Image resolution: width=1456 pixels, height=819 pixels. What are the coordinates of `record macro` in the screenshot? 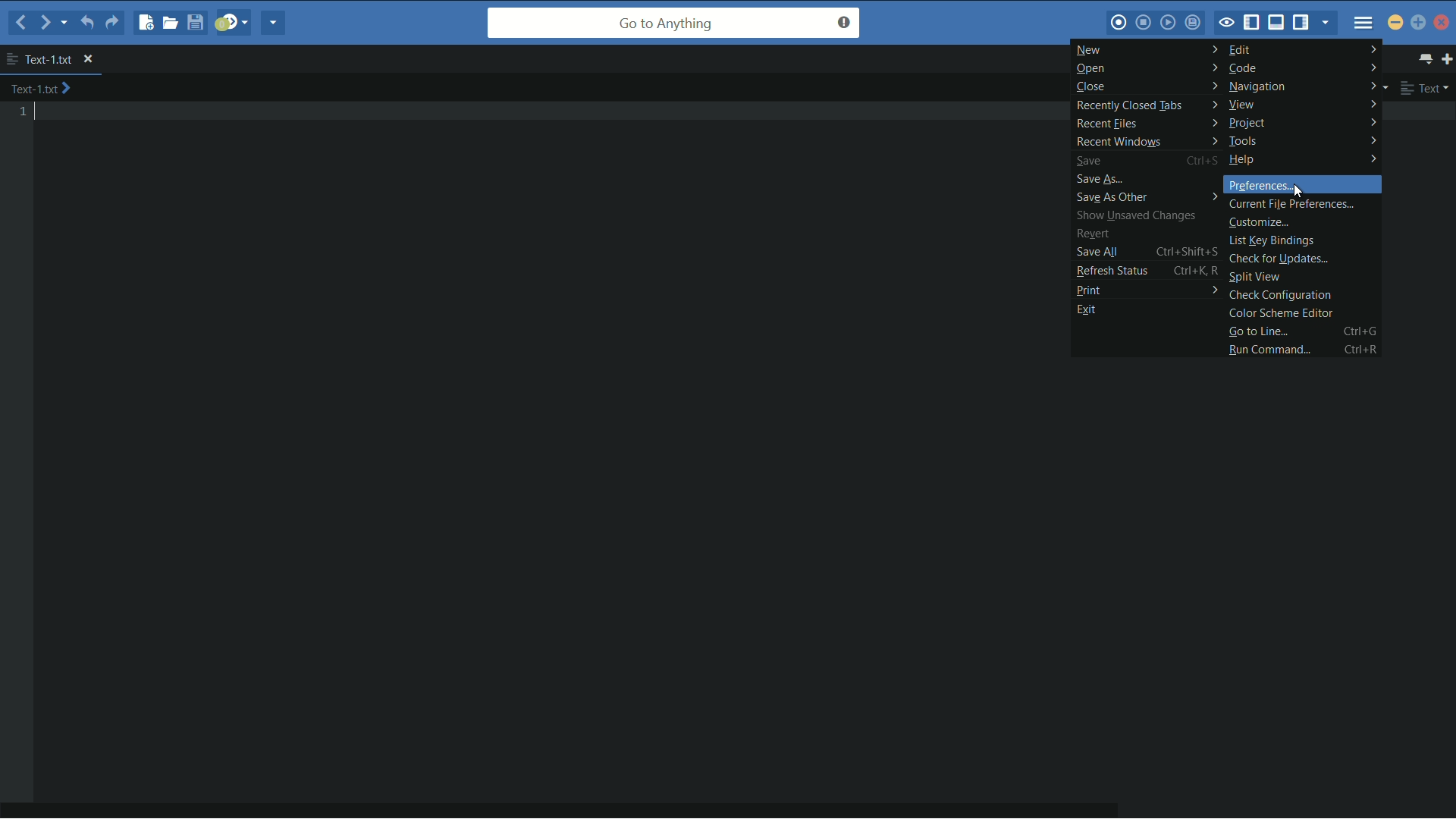 It's located at (1118, 24).